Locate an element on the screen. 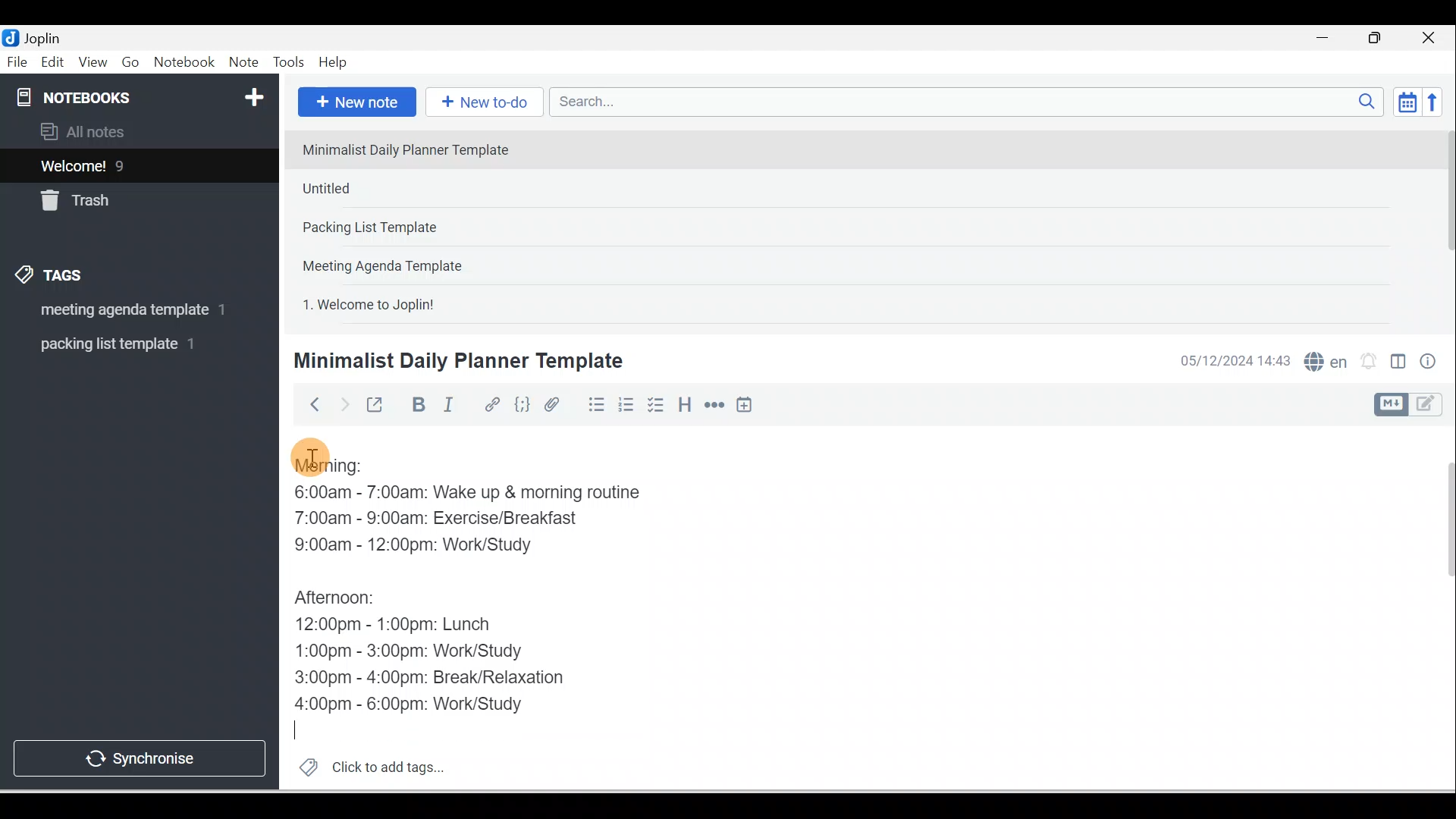  Edit is located at coordinates (54, 63).